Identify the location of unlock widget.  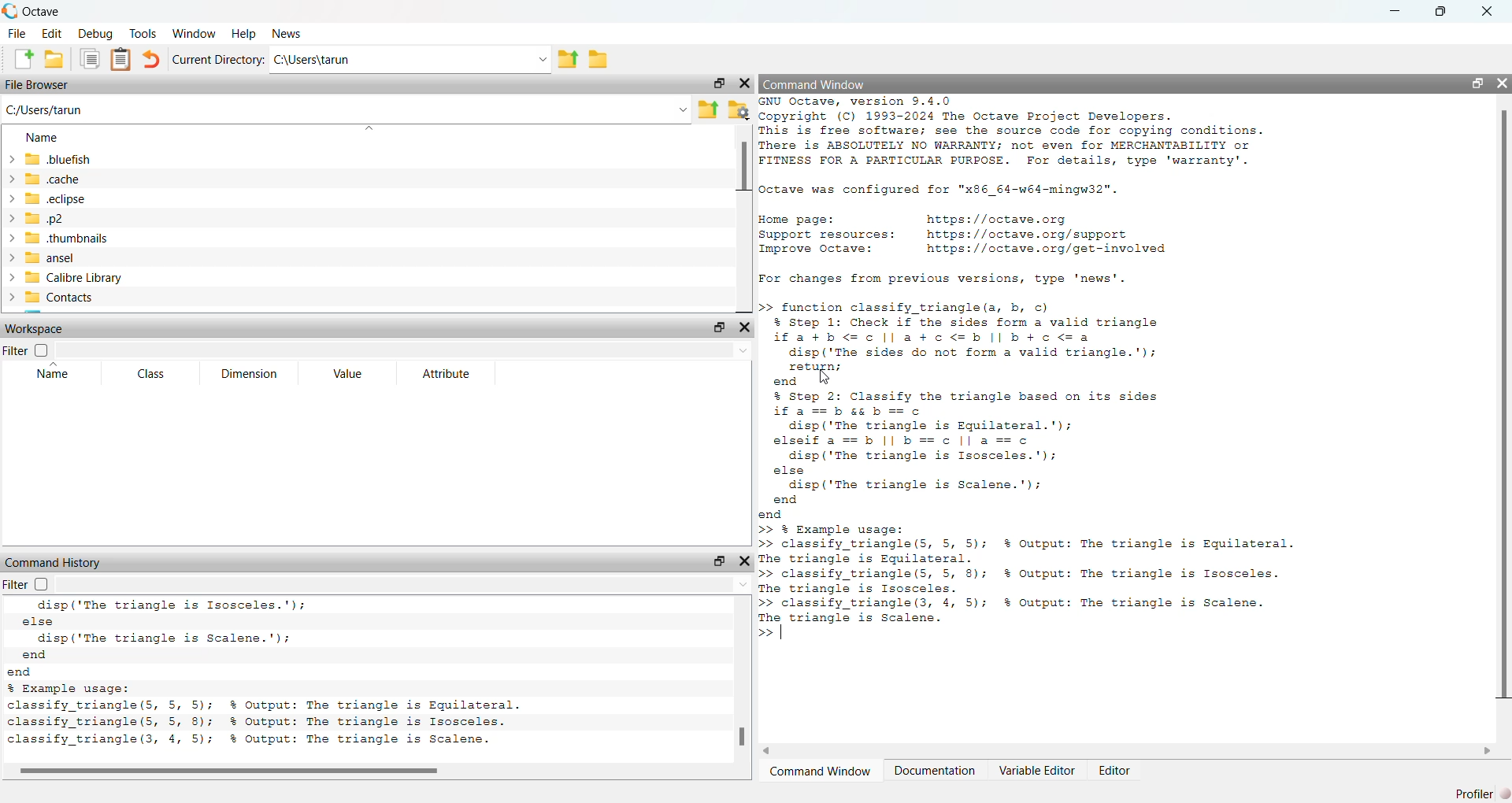
(717, 82).